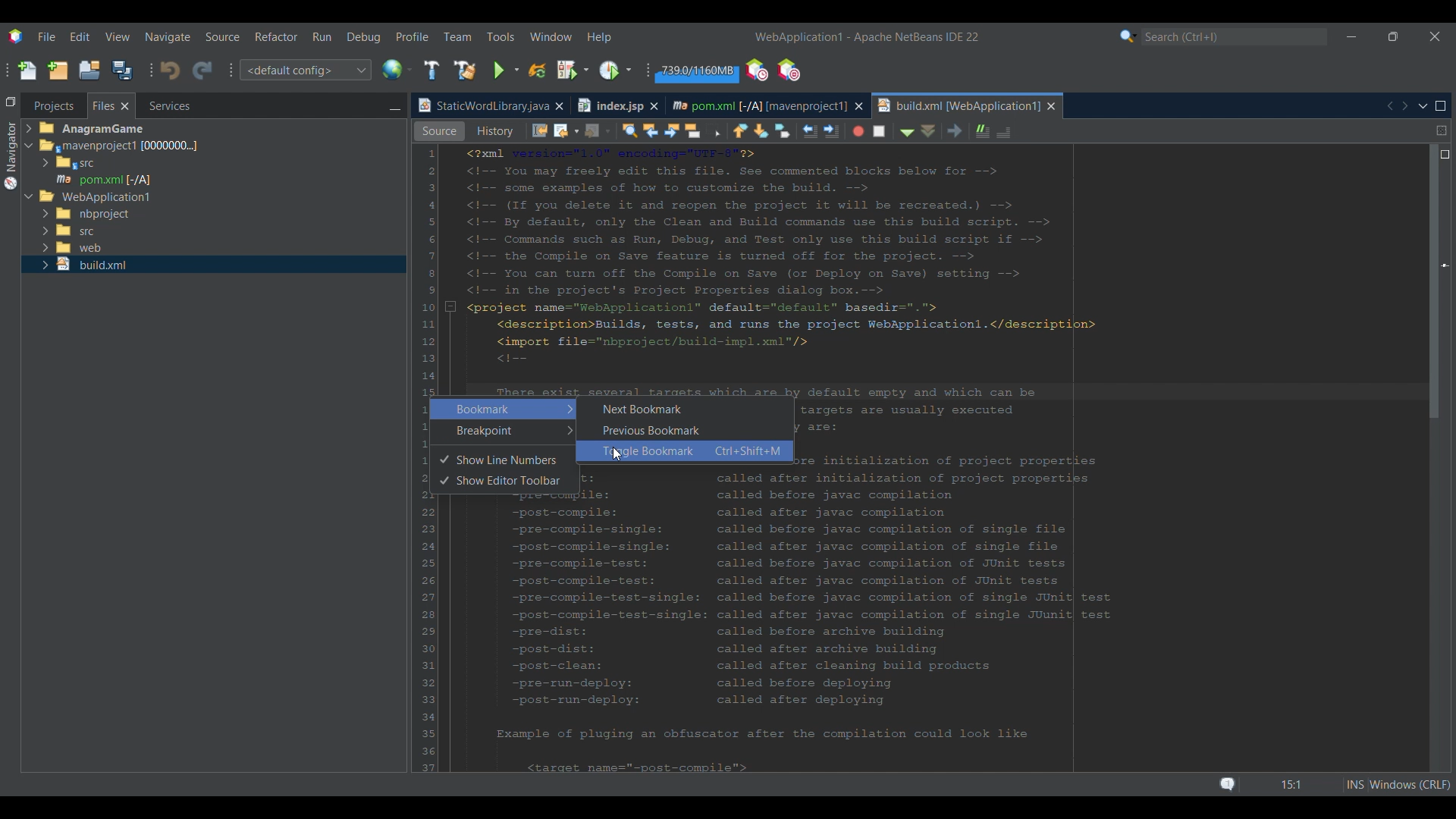 The width and height of the screenshot is (1456, 819). Describe the element at coordinates (394, 107) in the screenshot. I see `Minimize` at that location.